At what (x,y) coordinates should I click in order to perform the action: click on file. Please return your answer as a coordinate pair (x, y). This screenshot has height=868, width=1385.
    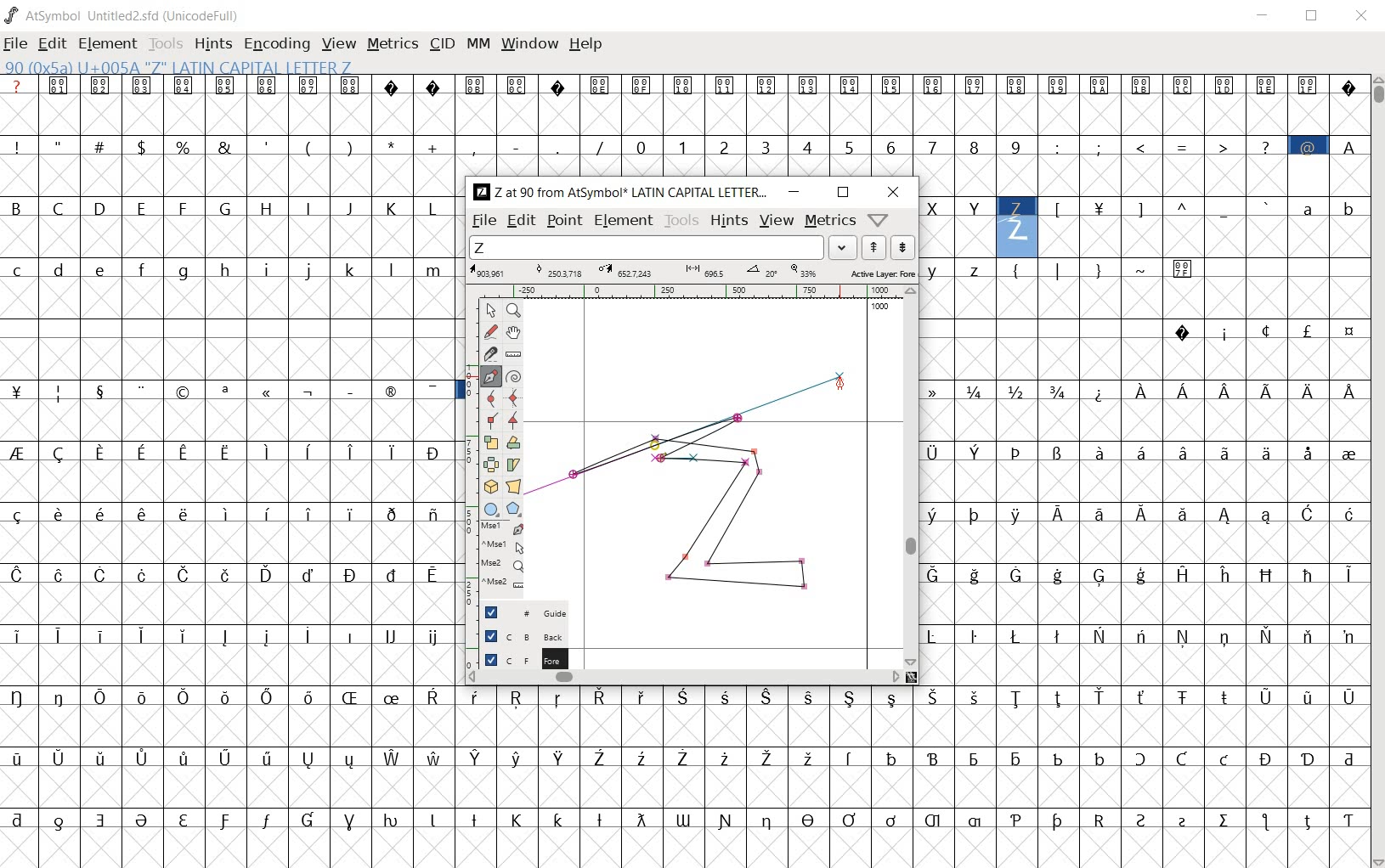
    Looking at the image, I should click on (483, 222).